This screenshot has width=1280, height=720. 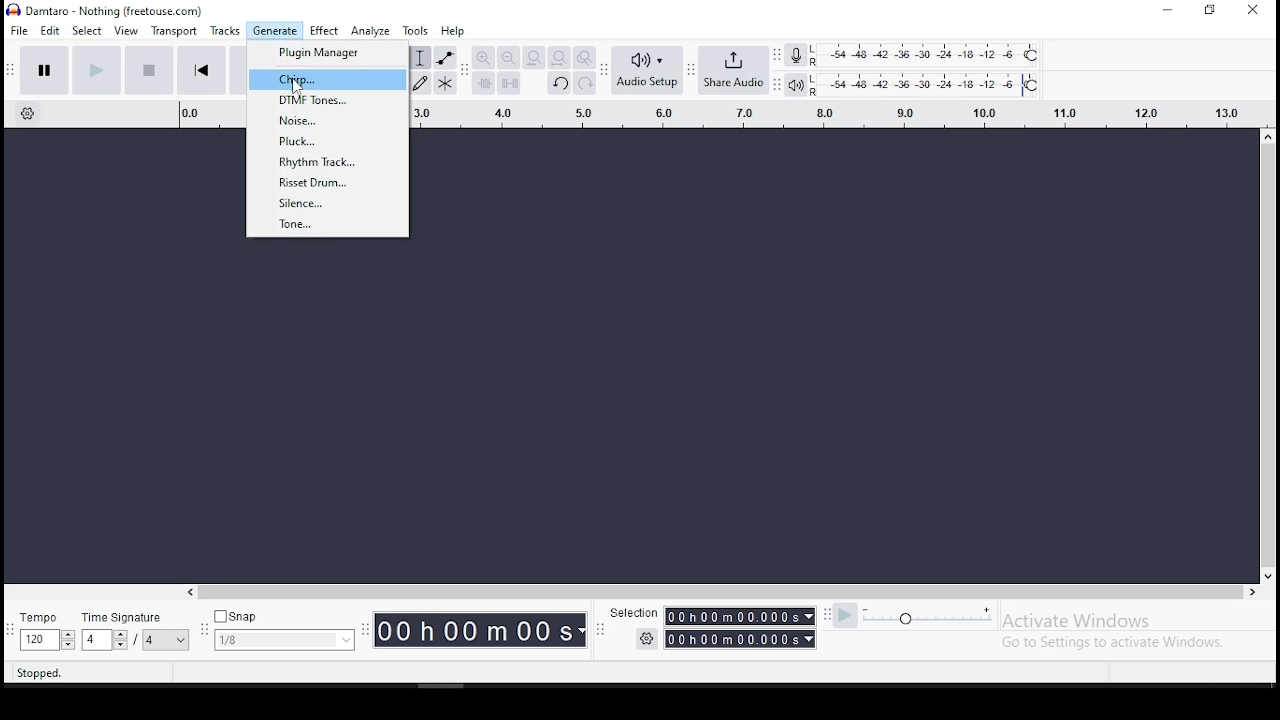 What do you see at coordinates (482, 58) in the screenshot?
I see `zoom in` at bounding box center [482, 58].